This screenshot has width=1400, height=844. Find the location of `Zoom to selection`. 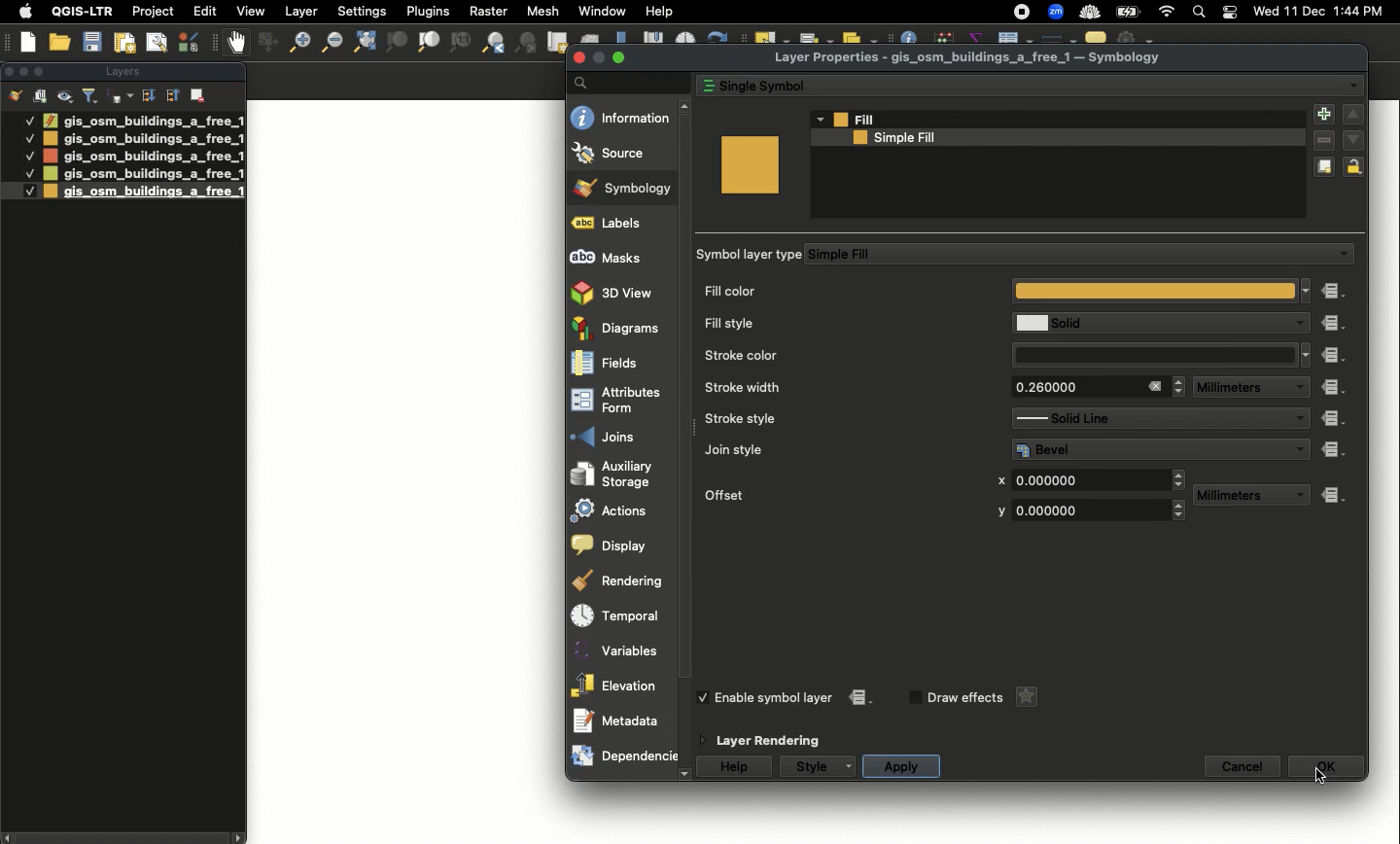

Zoom to selection is located at coordinates (397, 43).